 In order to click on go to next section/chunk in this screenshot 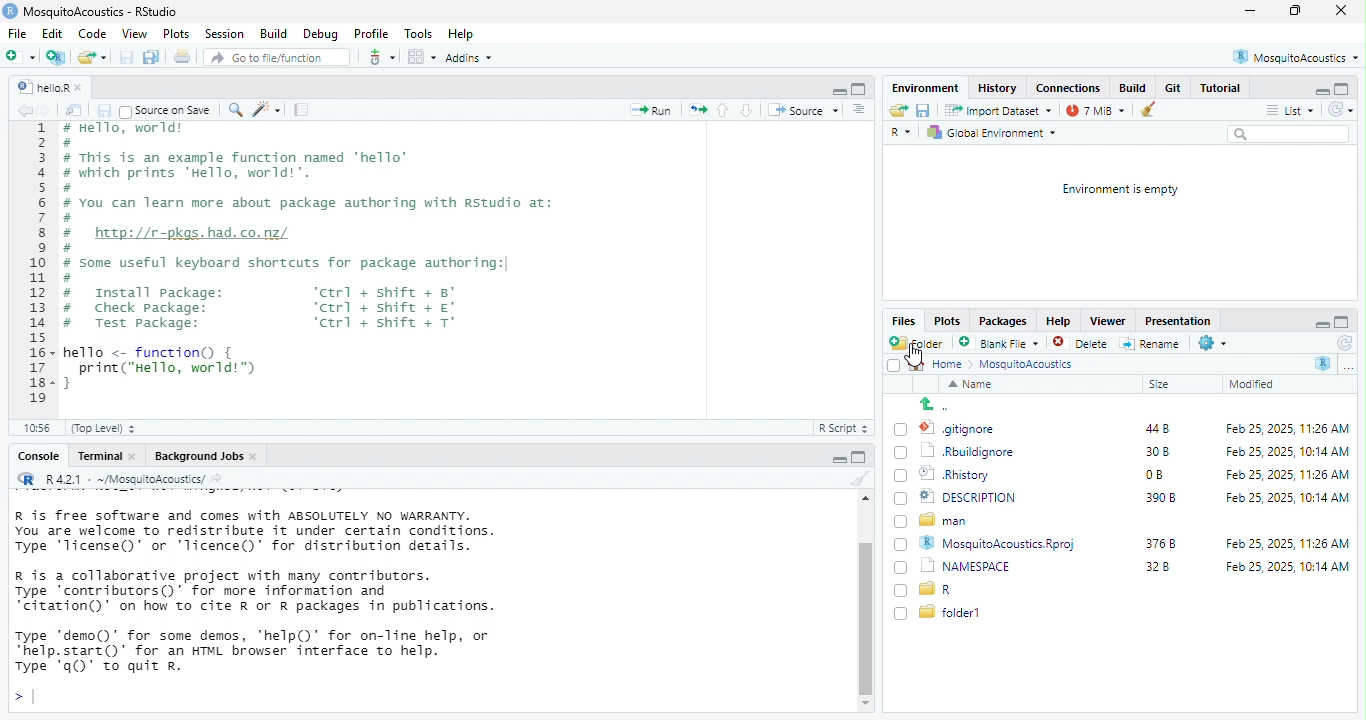, I will do `click(748, 112)`.